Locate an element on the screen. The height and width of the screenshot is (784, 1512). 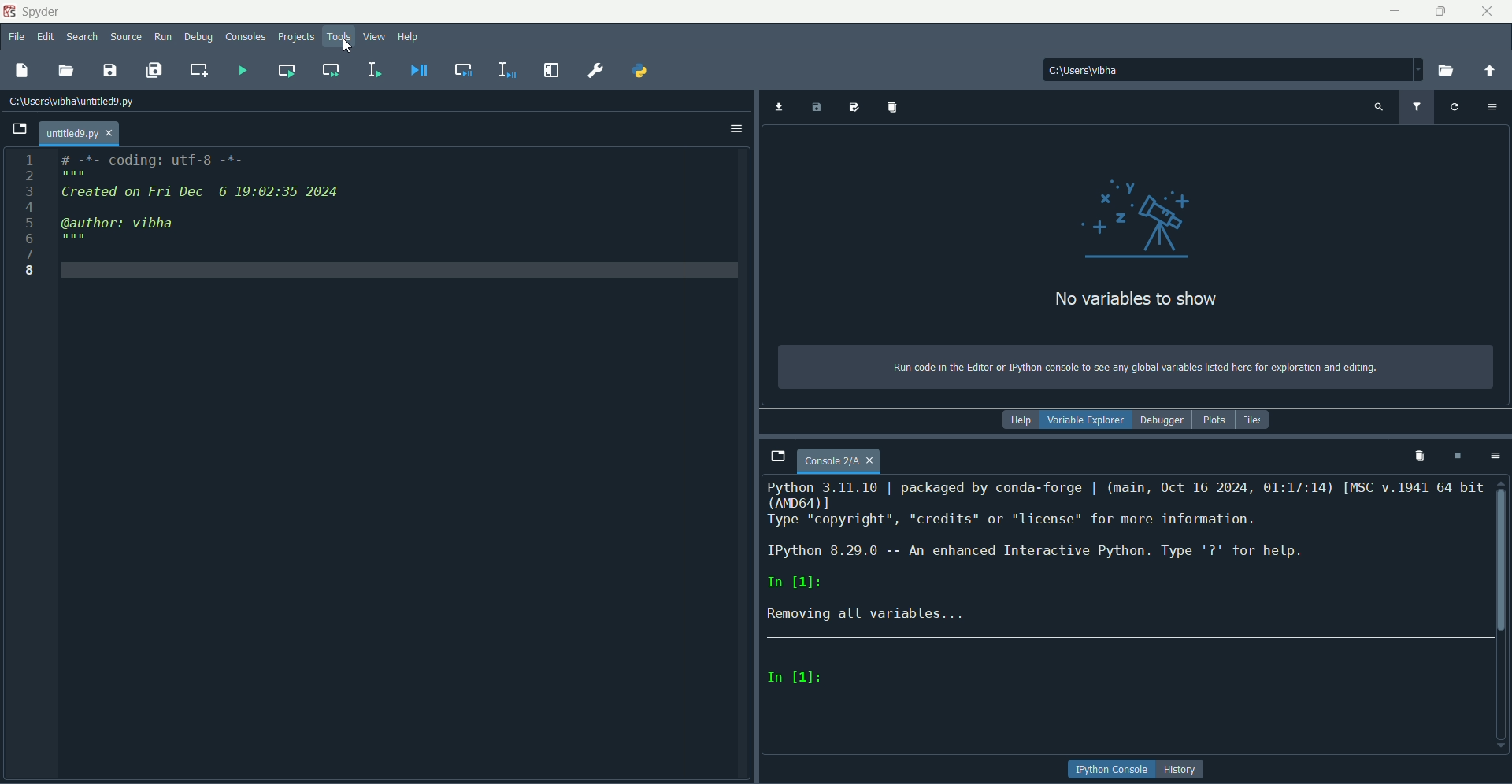
text is located at coordinates (1135, 300).